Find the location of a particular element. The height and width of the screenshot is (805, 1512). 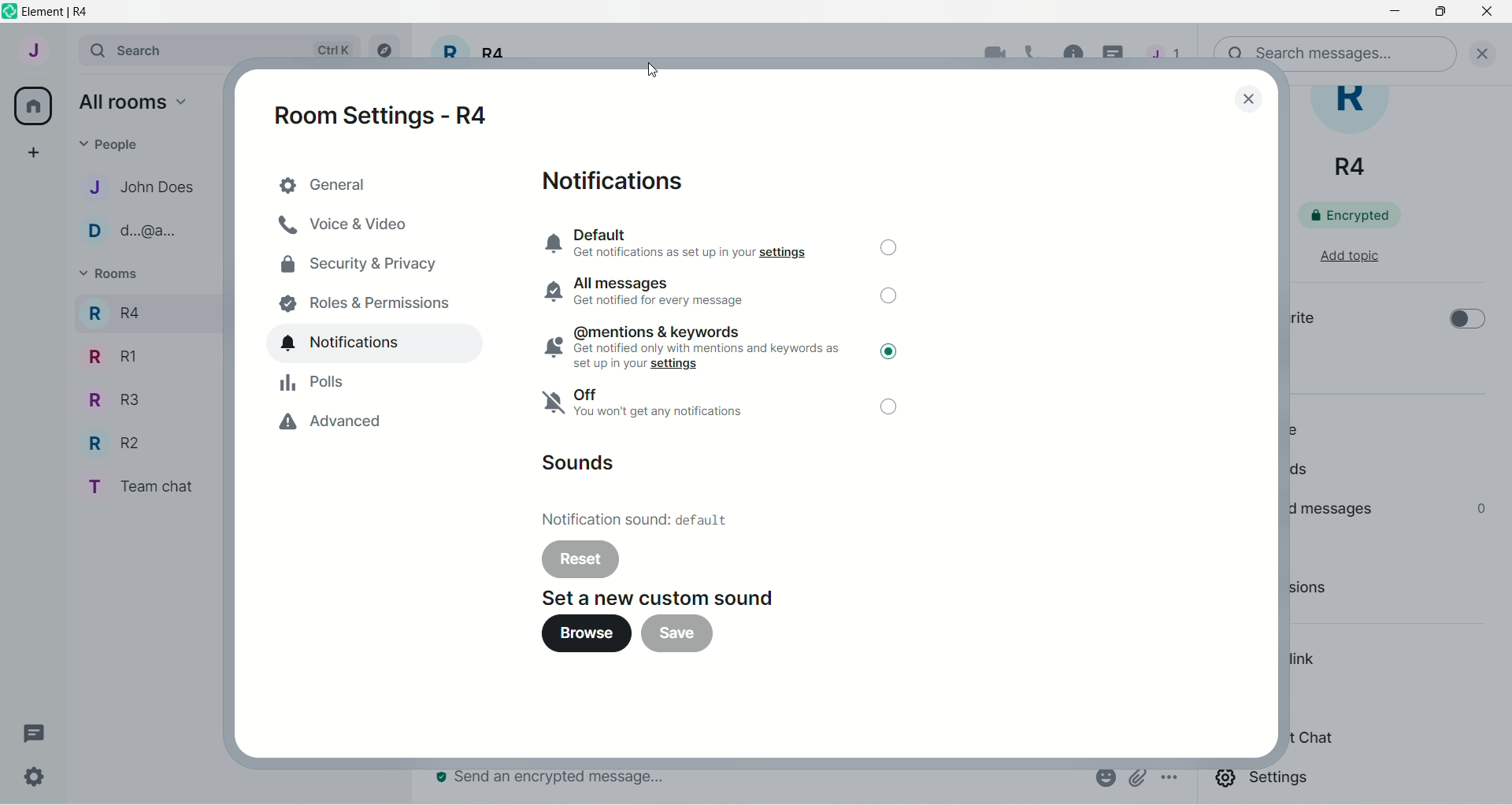

T Team chat is located at coordinates (135, 484).